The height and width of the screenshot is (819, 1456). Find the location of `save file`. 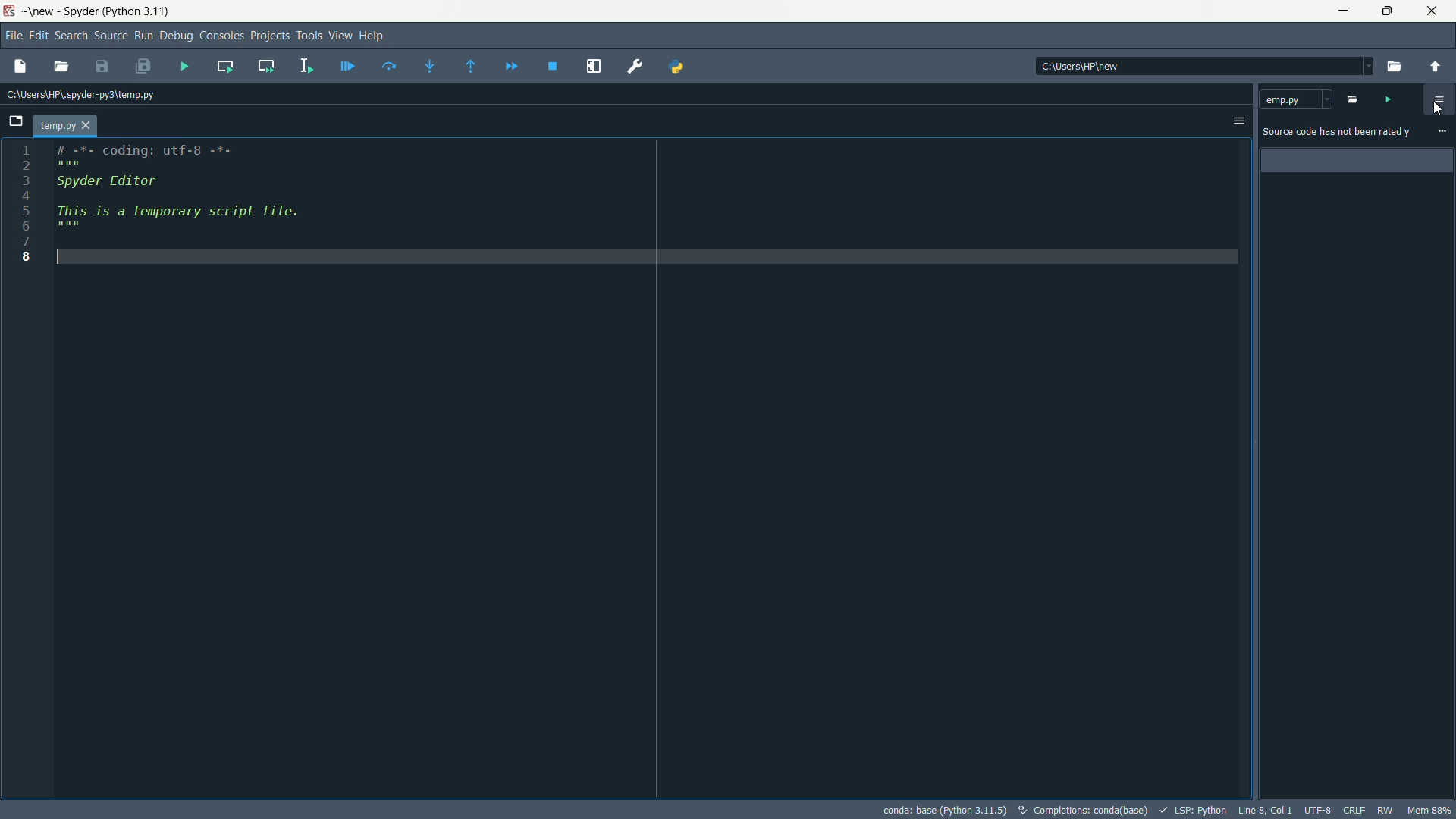

save file is located at coordinates (103, 67).